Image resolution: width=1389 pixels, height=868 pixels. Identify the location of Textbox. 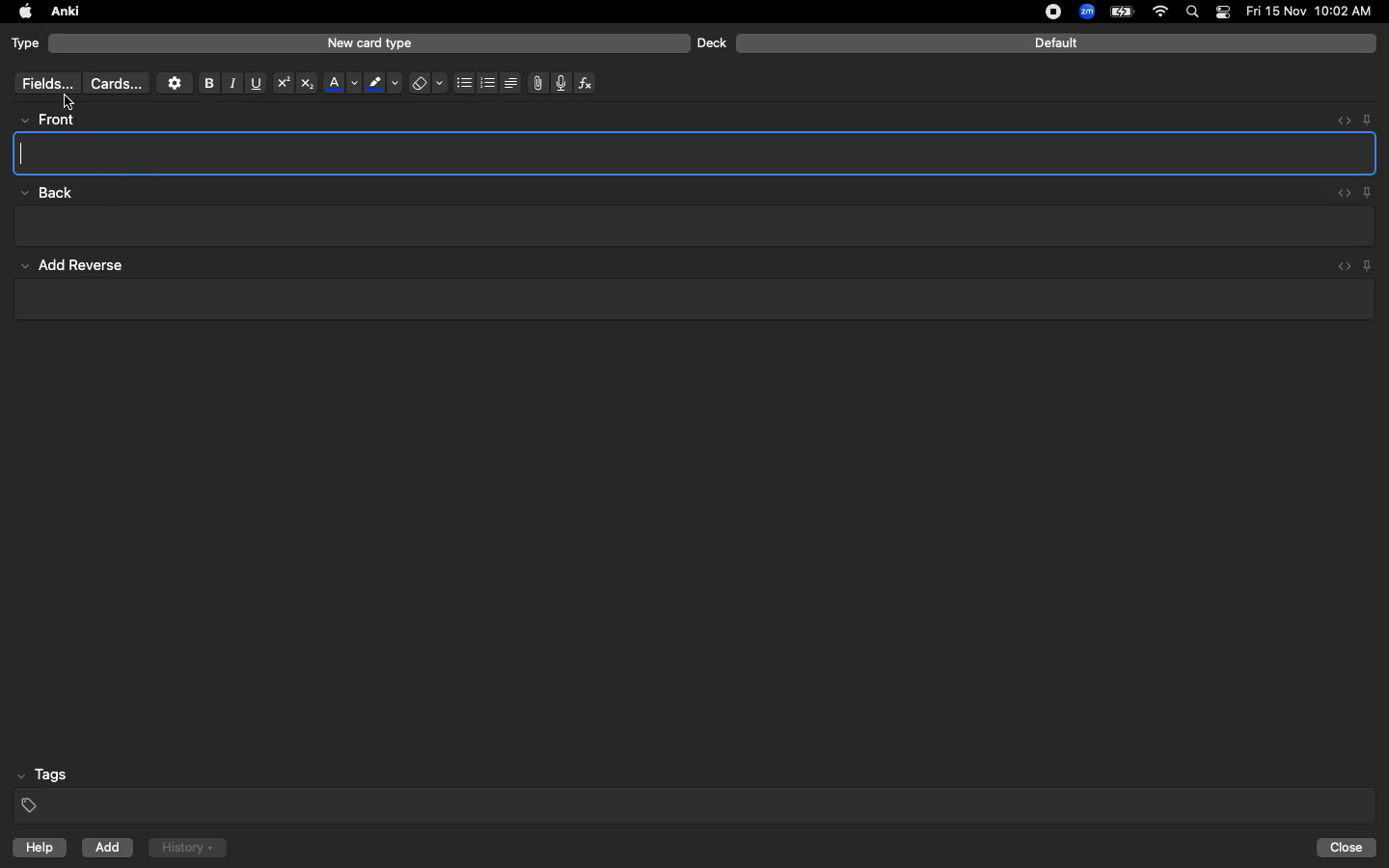
(696, 152).